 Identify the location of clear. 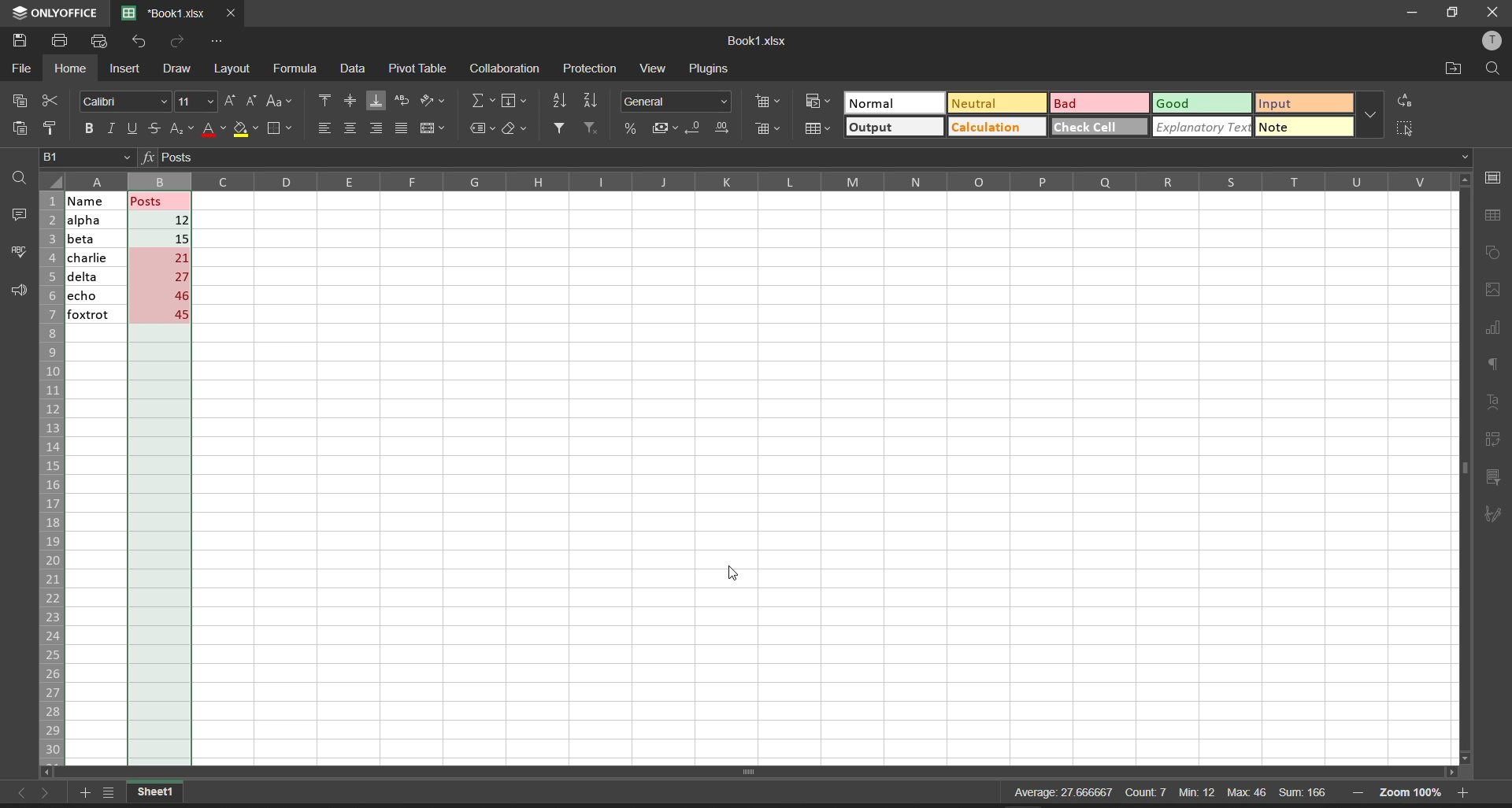
(517, 127).